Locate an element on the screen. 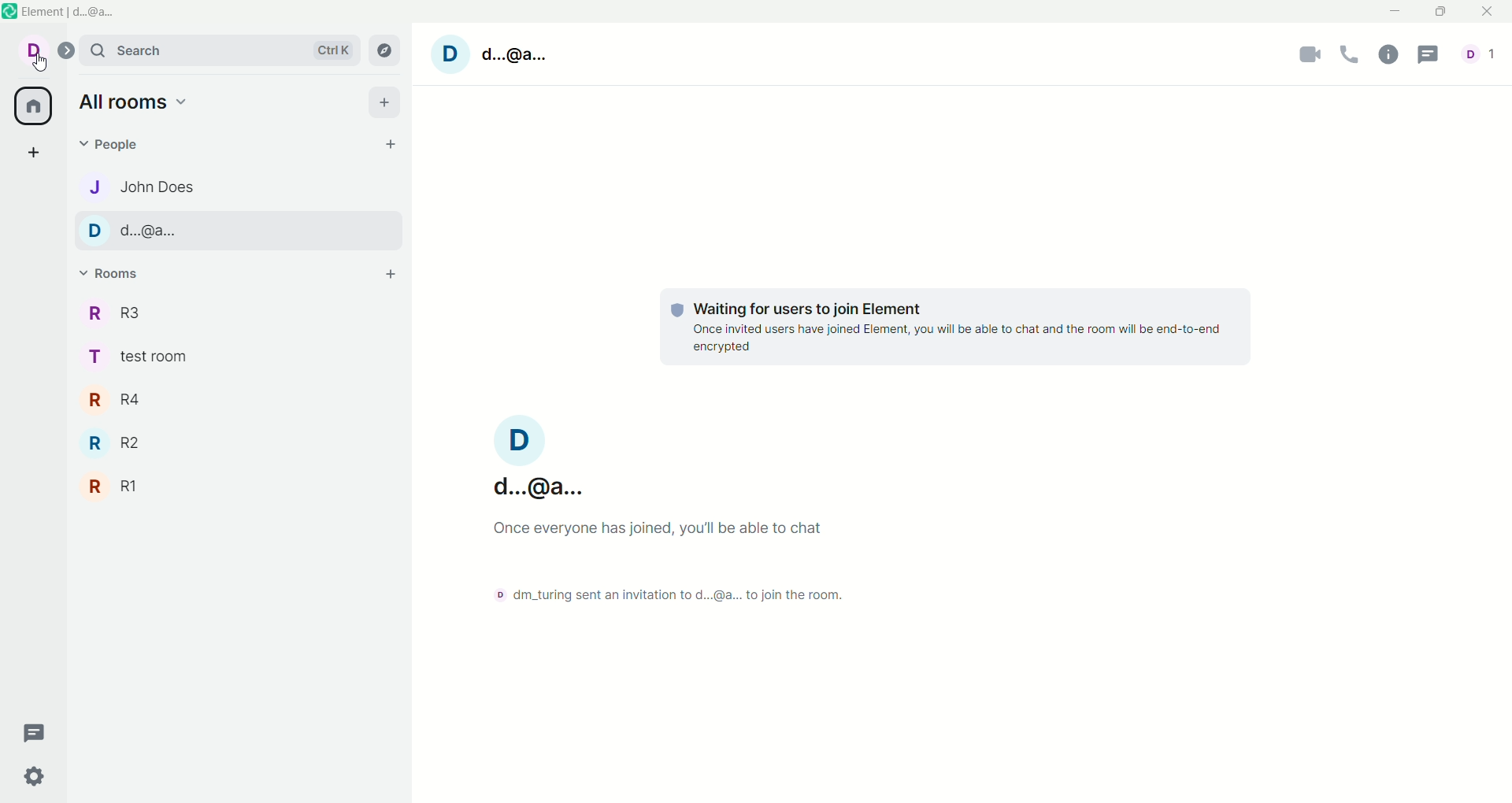  all rooms is located at coordinates (135, 105).